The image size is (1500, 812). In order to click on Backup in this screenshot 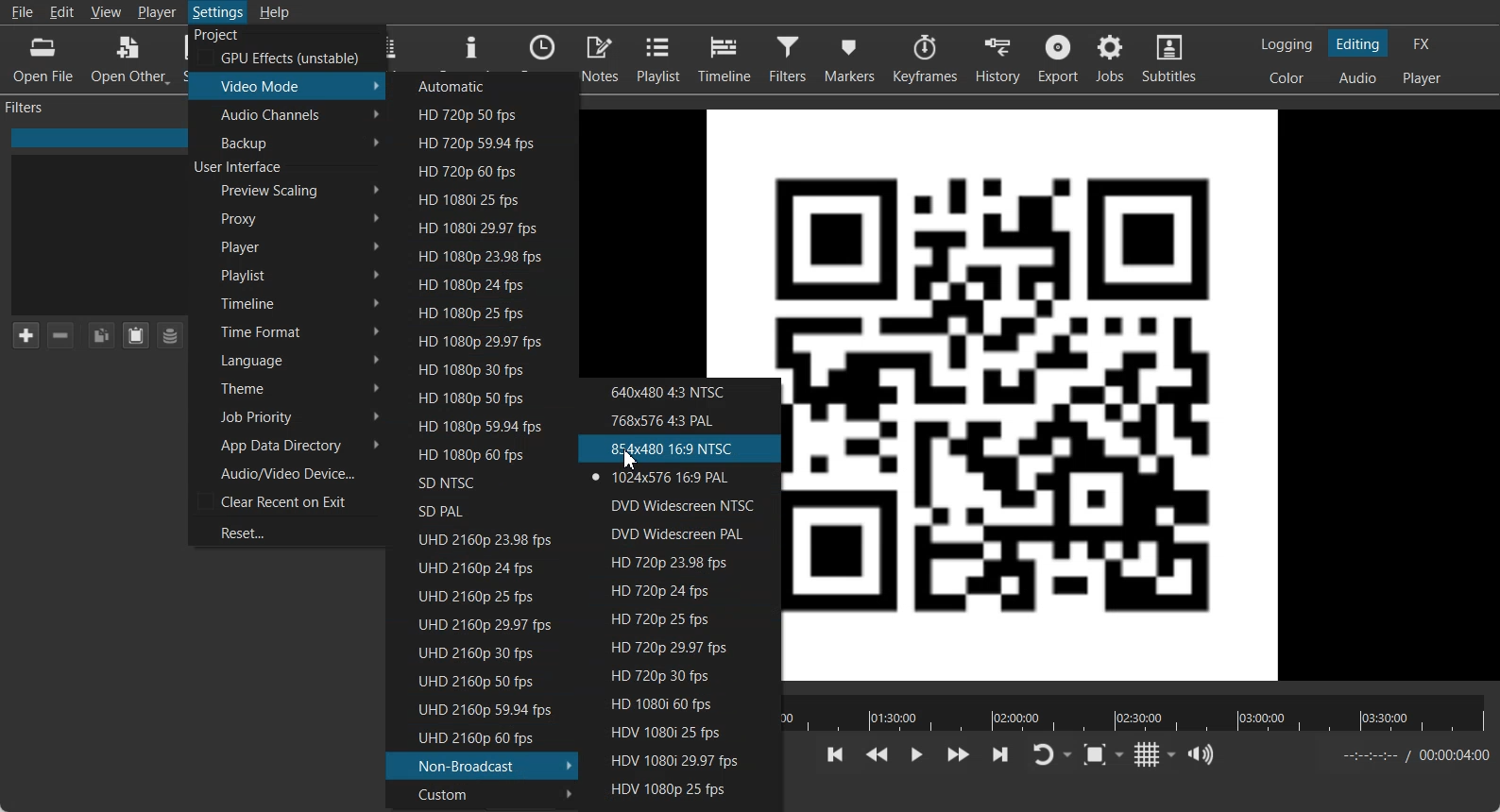, I will do `click(287, 142)`.